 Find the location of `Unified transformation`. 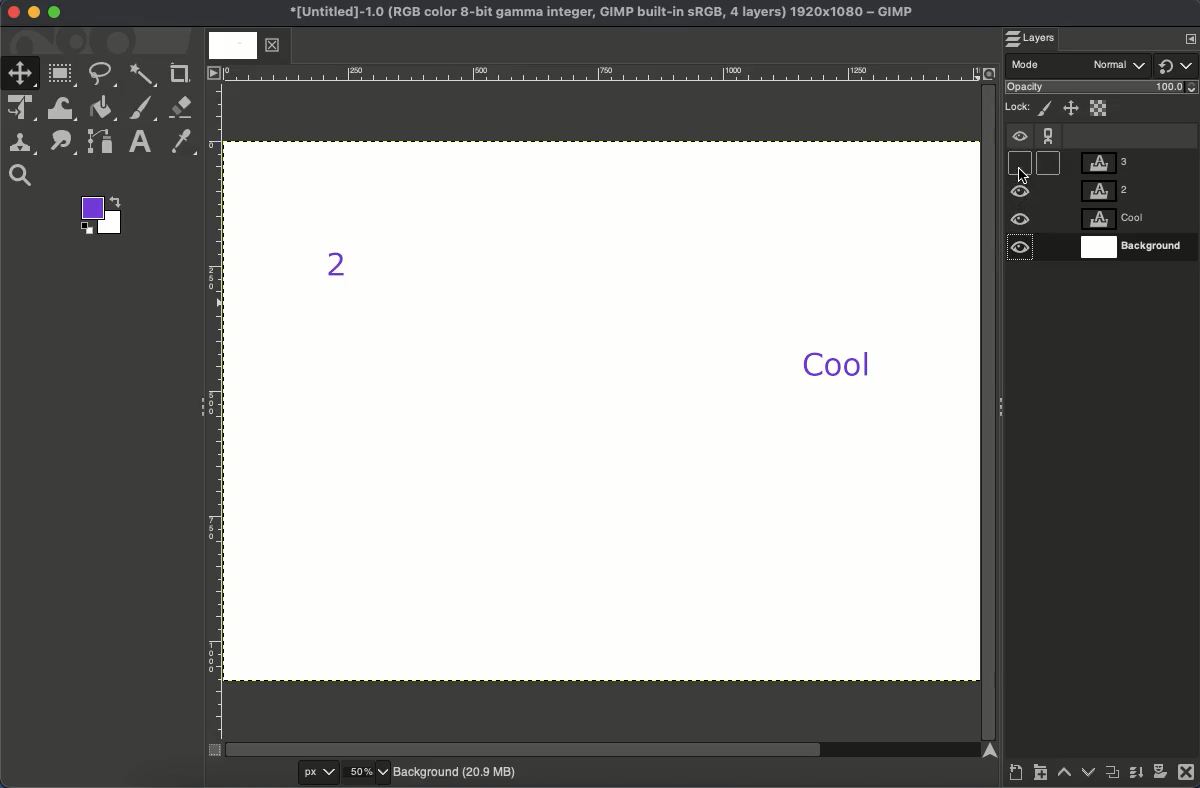

Unified transformation is located at coordinates (24, 109).